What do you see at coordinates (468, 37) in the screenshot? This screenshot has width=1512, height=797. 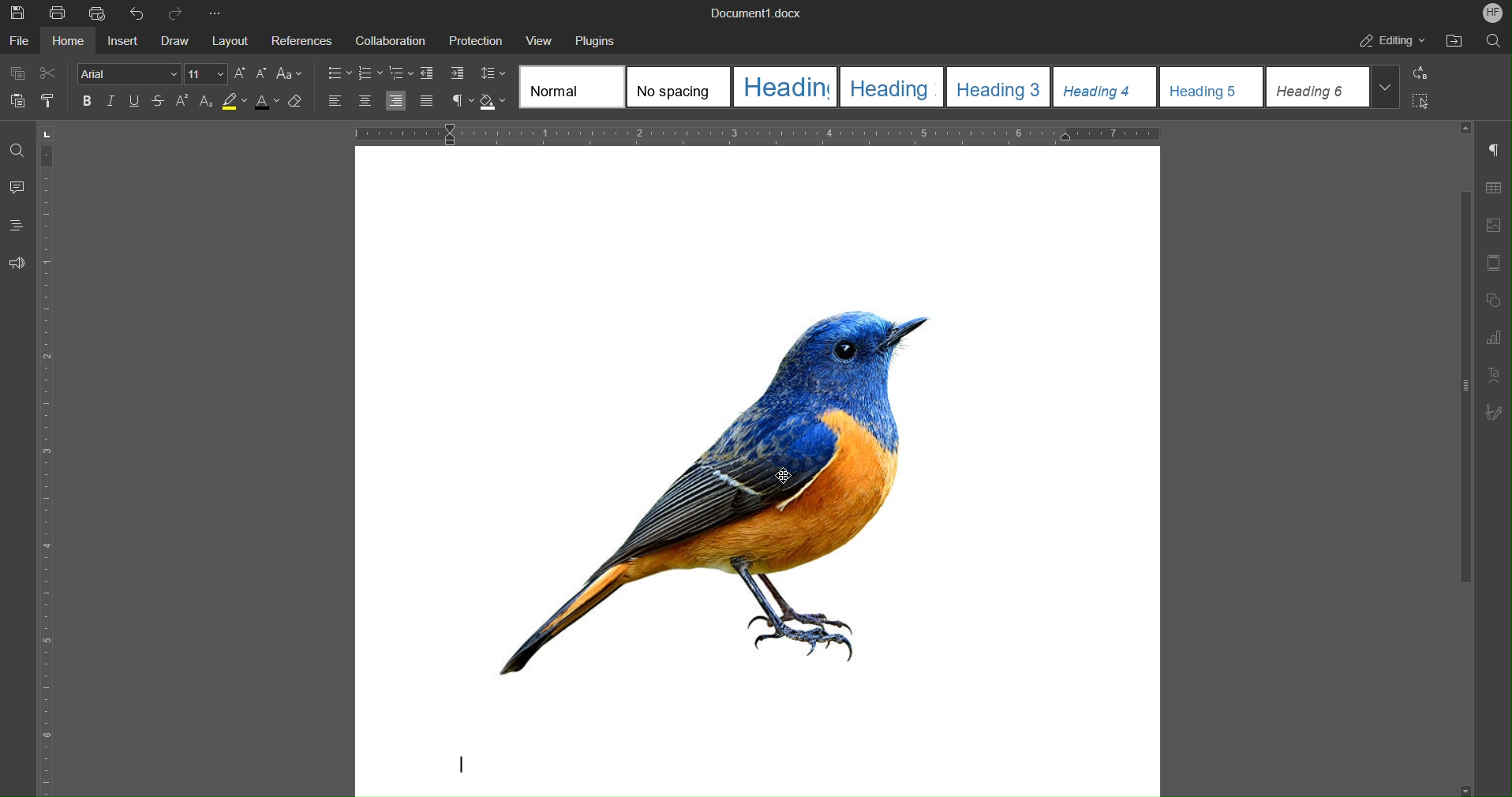 I see `Protection` at bounding box center [468, 37].